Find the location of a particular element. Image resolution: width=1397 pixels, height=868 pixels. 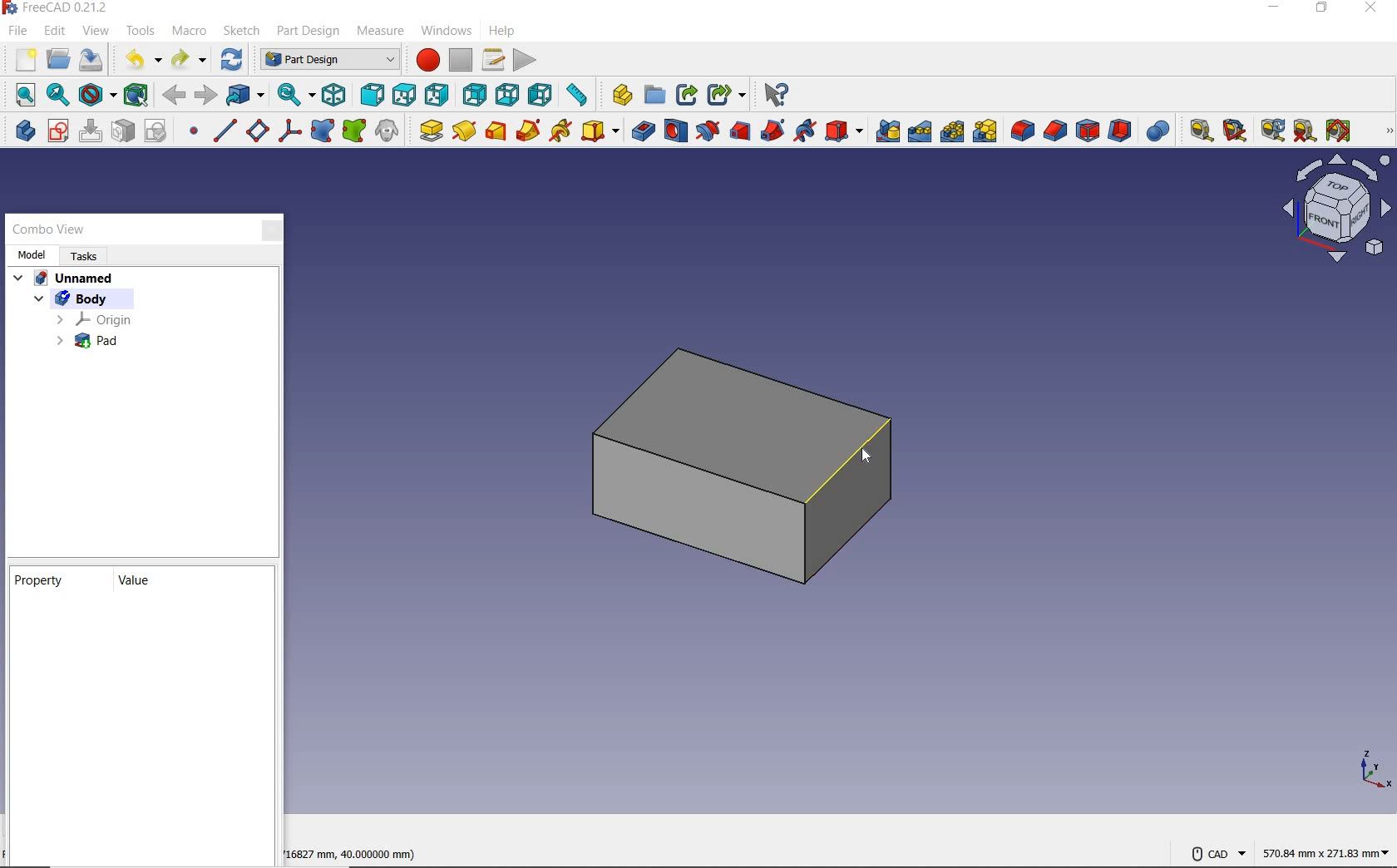

create an additive primitive is located at coordinates (599, 131).